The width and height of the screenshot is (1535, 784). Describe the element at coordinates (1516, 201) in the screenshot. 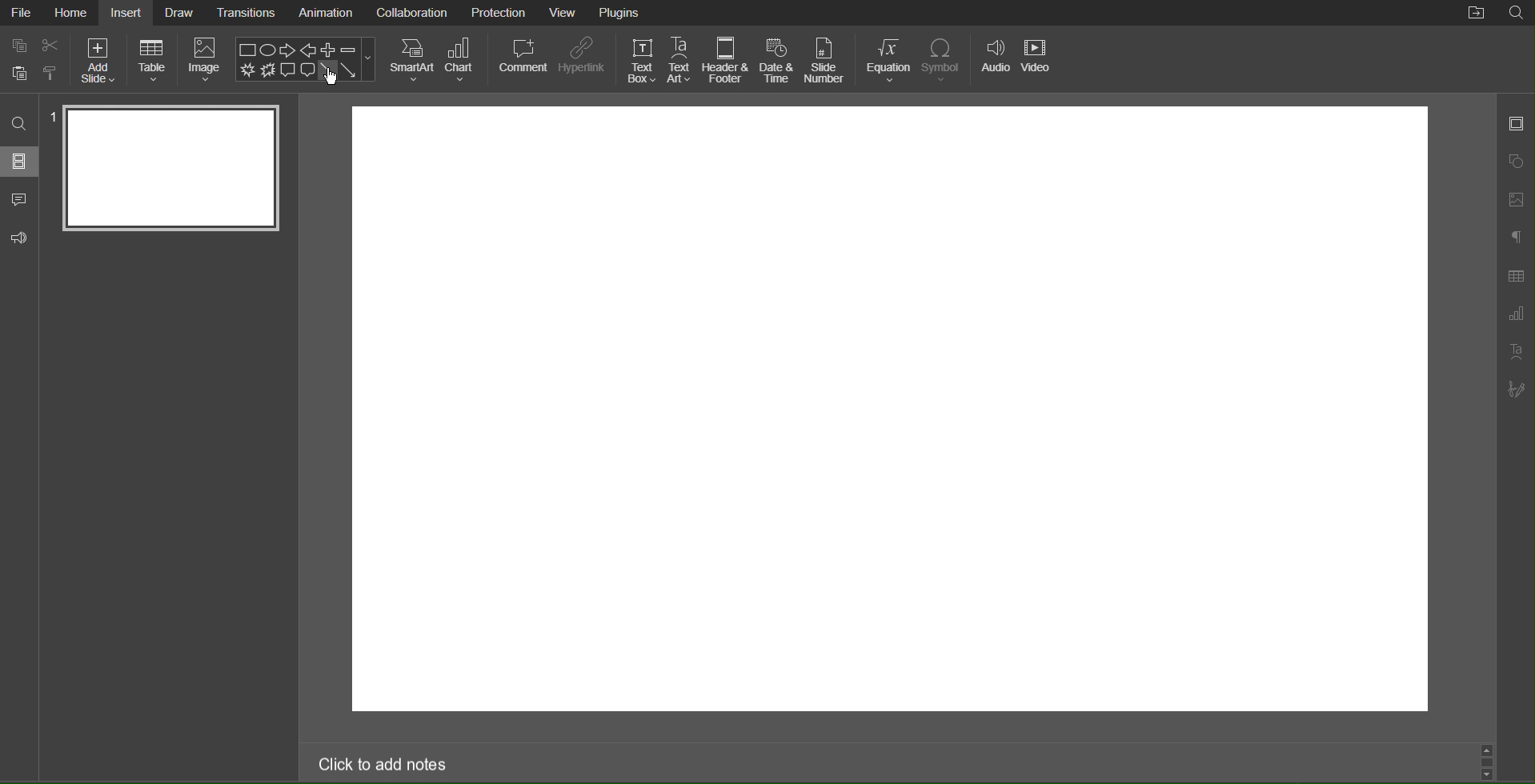

I see `Image Settings` at that location.